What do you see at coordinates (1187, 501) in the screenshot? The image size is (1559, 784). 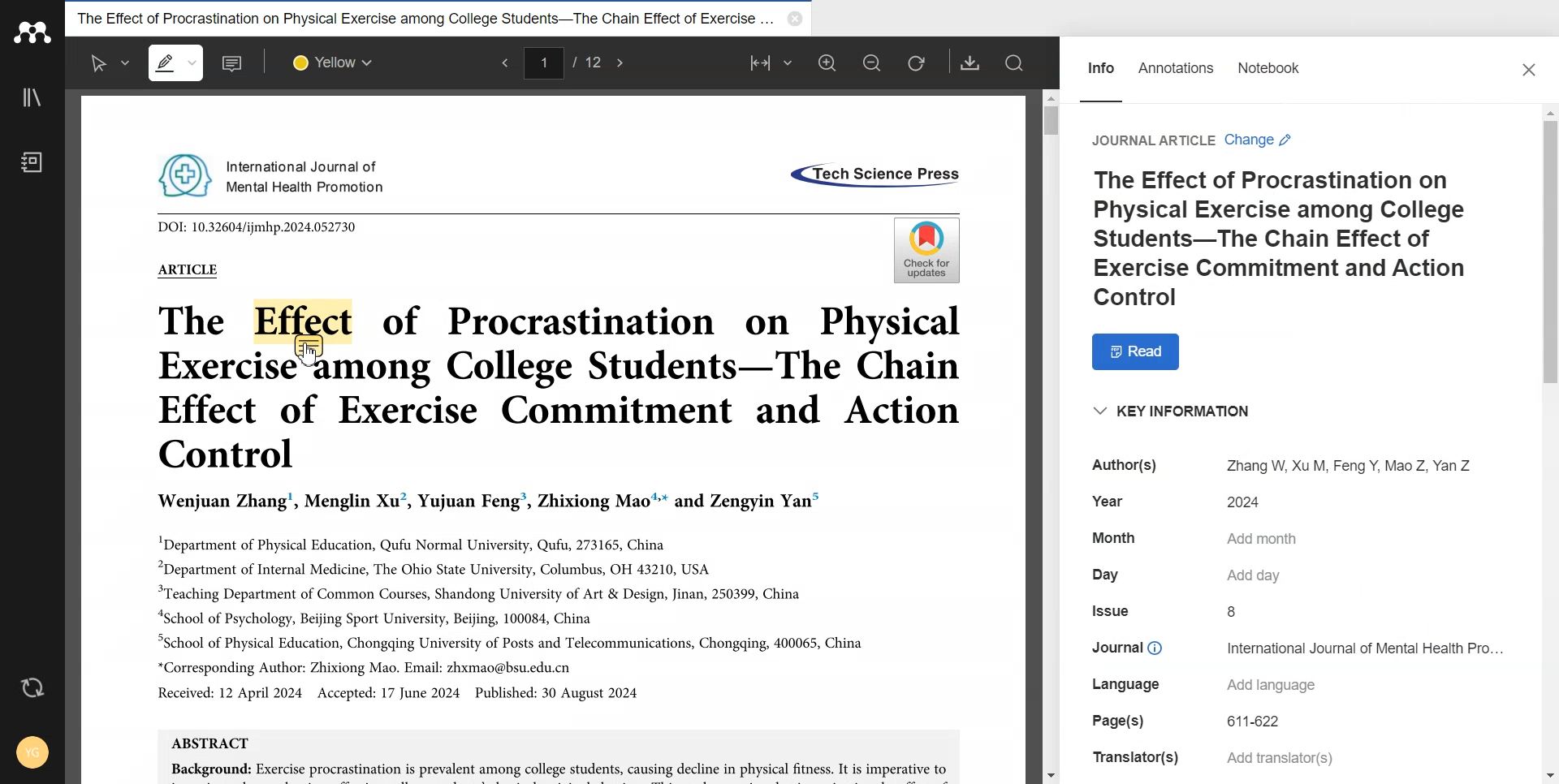 I see `Year 2024` at bounding box center [1187, 501].